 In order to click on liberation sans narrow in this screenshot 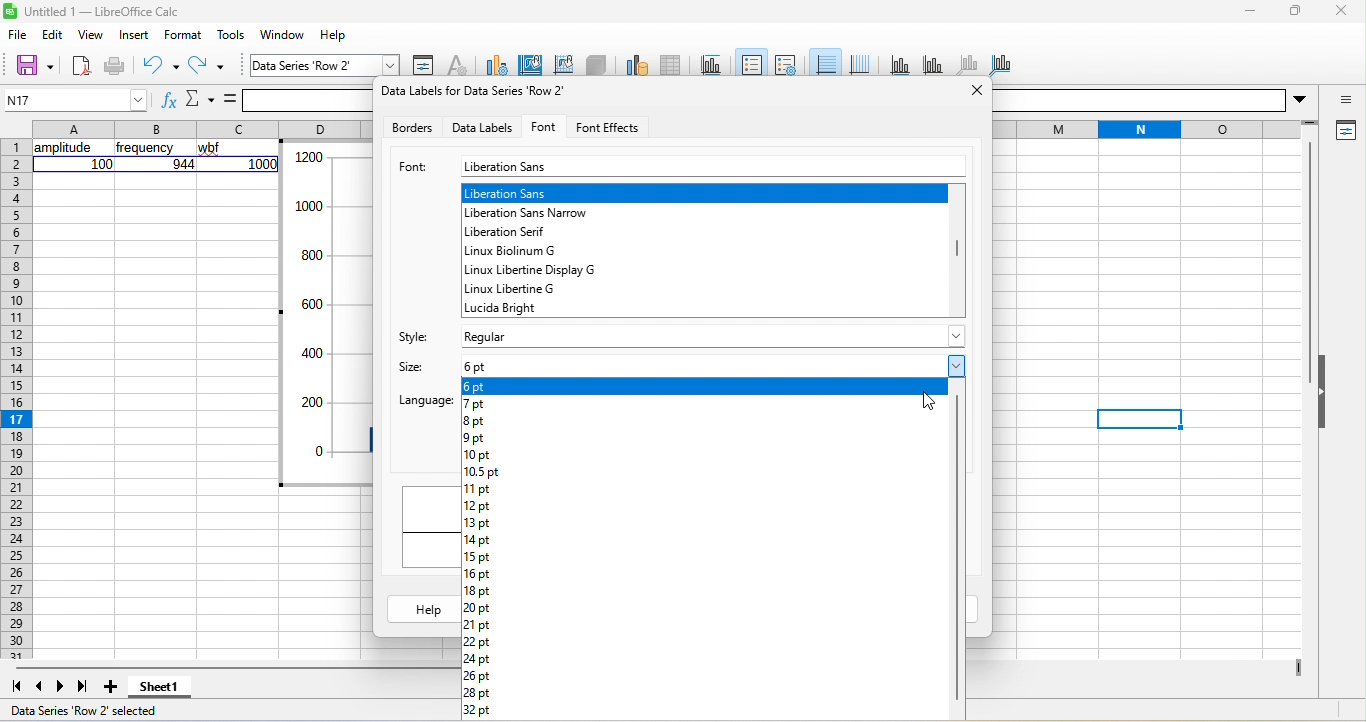, I will do `click(537, 212)`.